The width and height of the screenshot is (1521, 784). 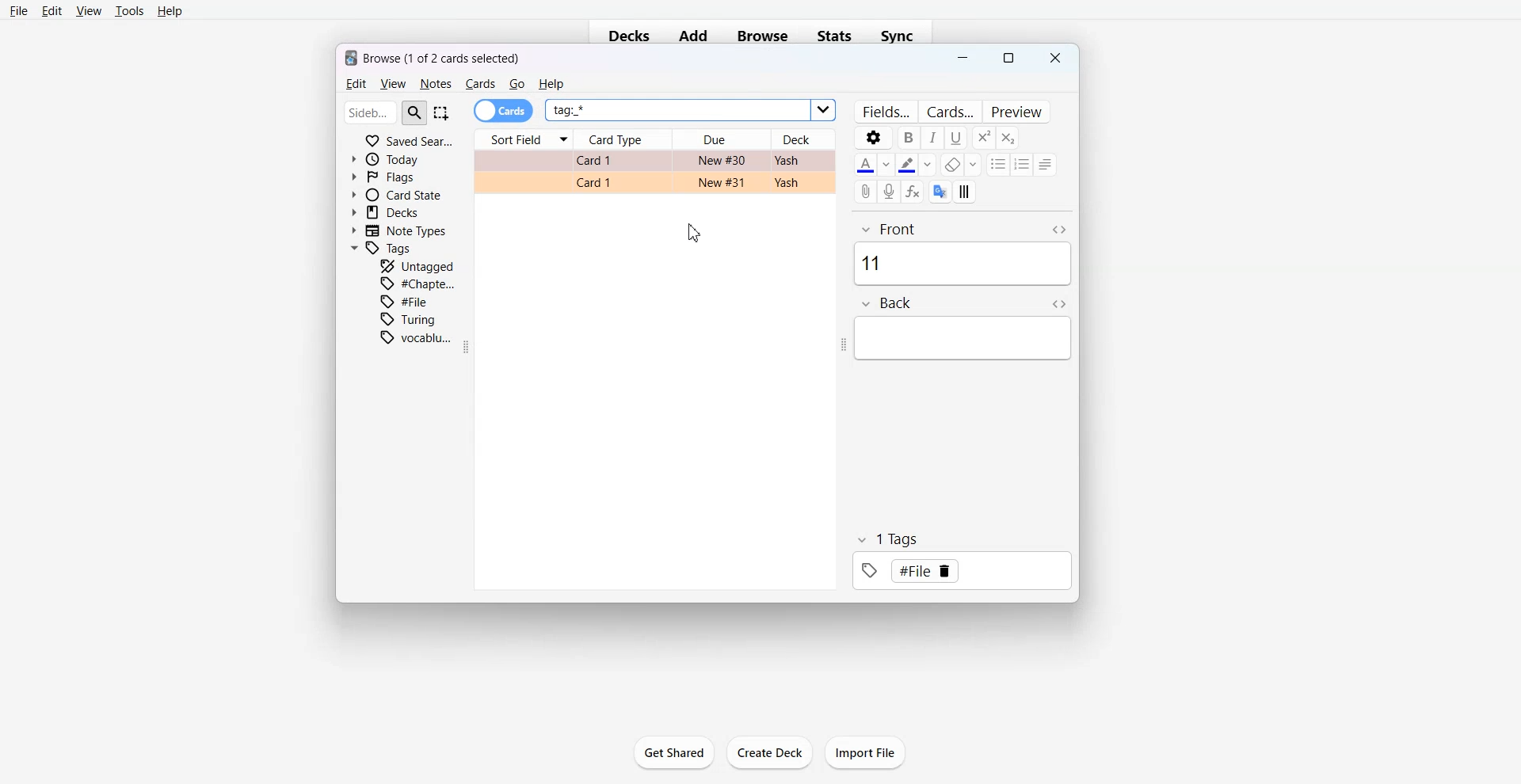 I want to click on Tag, so click(x=962, y=559).